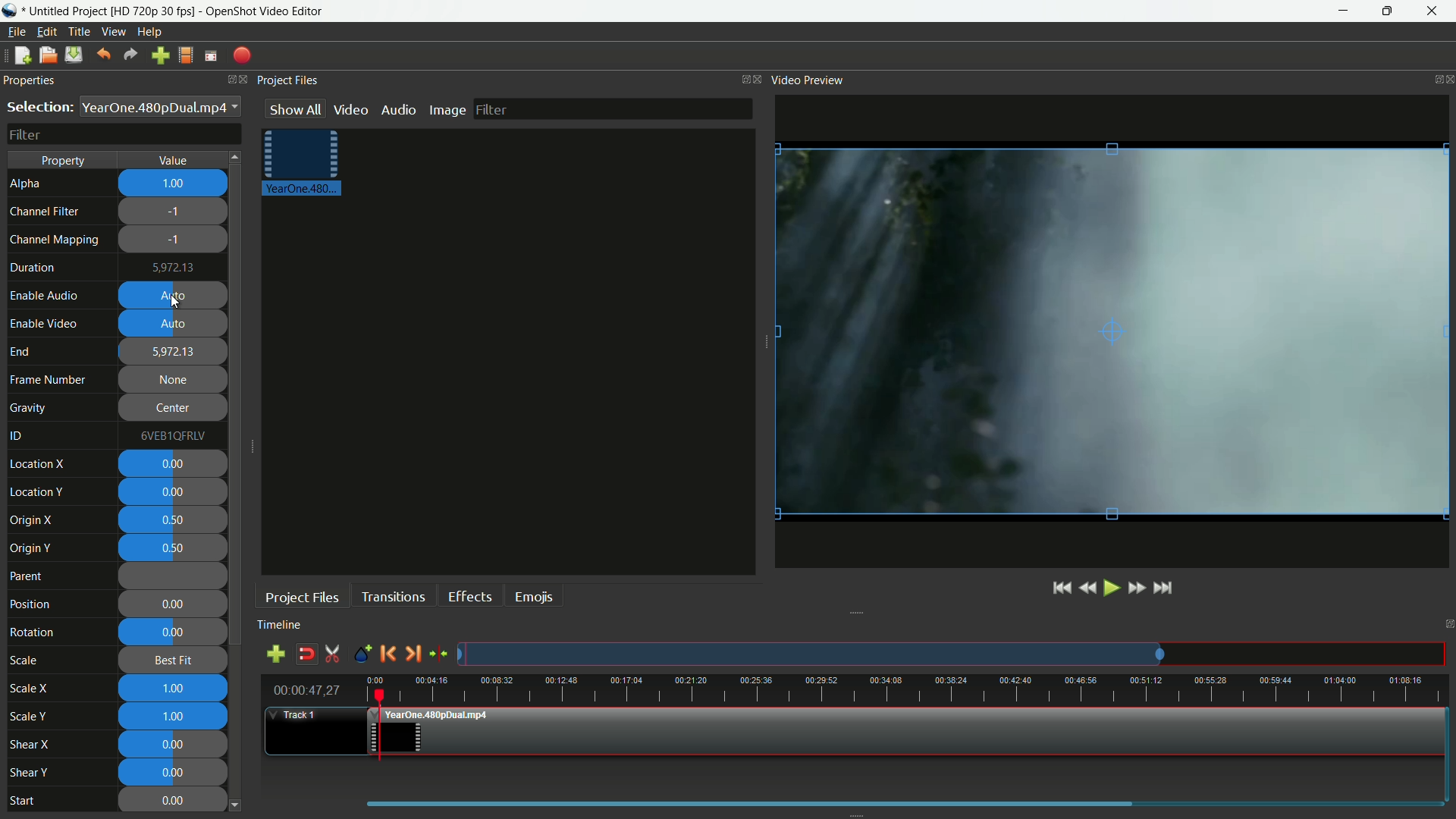  I want to click on play or pause, so click(1037, 589).